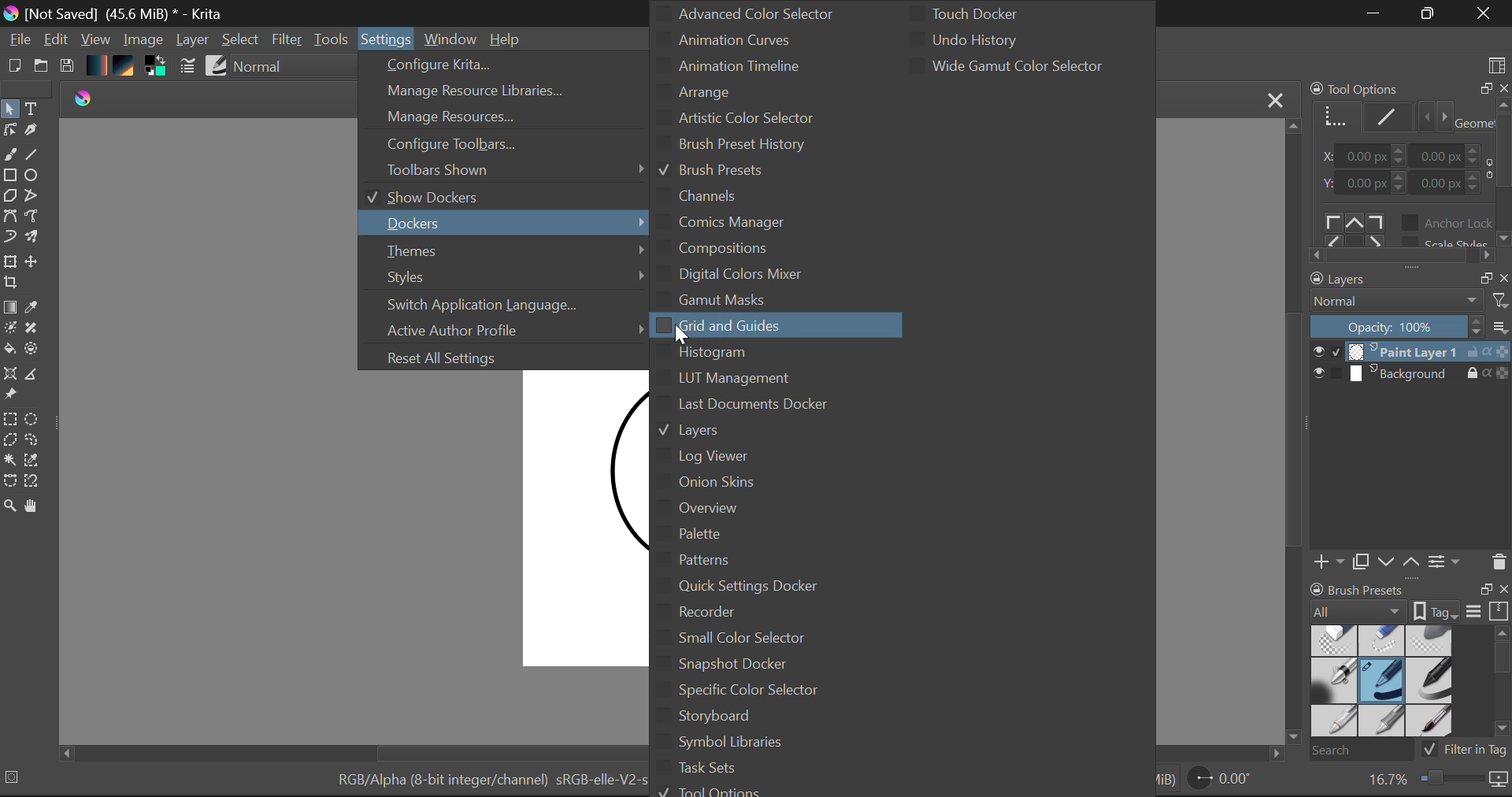 This screenshot has height=797, width=1512. What do you see at coordinates (509, 39) in the screenshot?
I see `Help` at bounding box center [509, 39].